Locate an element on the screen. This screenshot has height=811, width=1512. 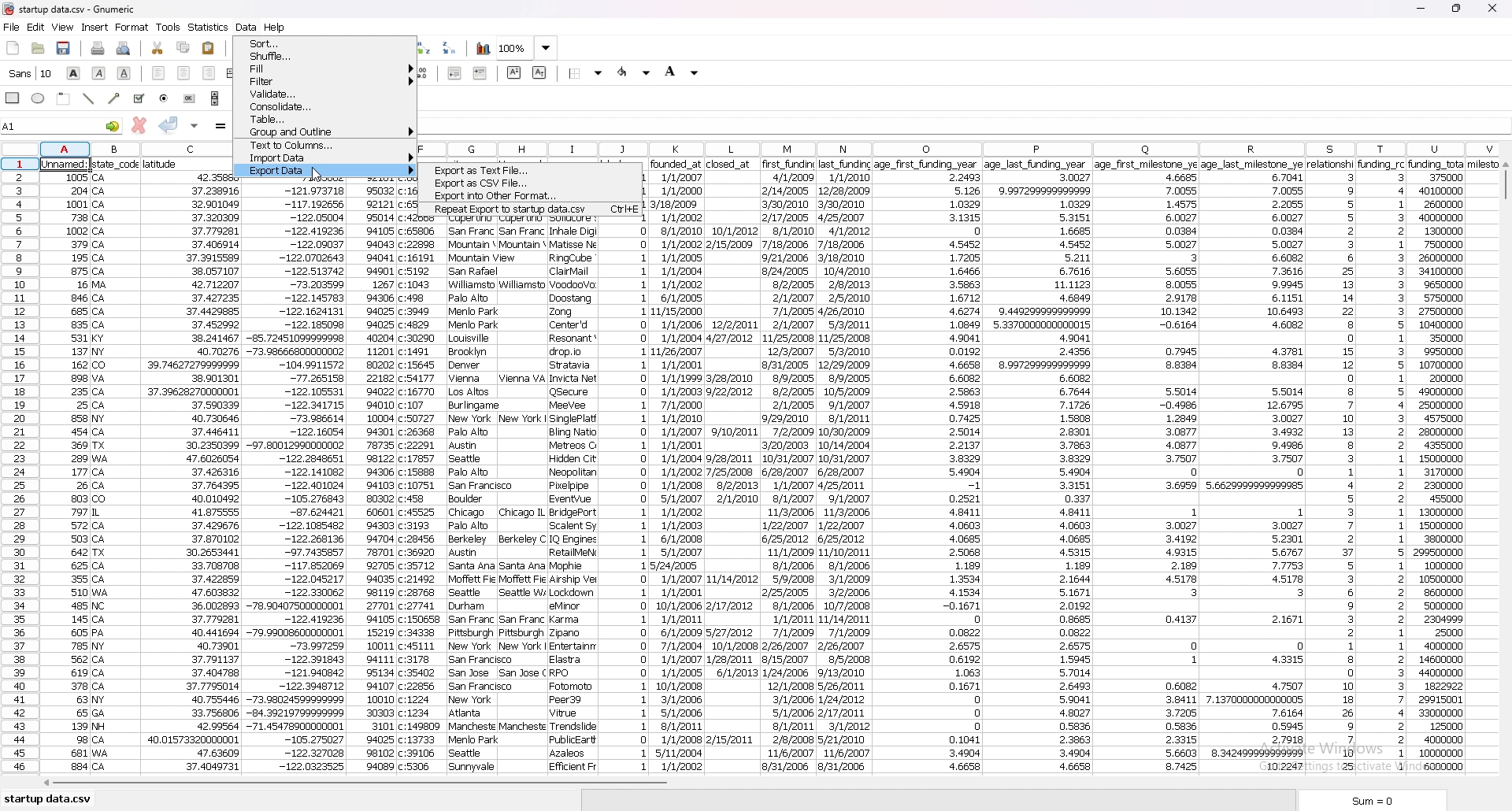
cursor is located at coordinates (320, 173).